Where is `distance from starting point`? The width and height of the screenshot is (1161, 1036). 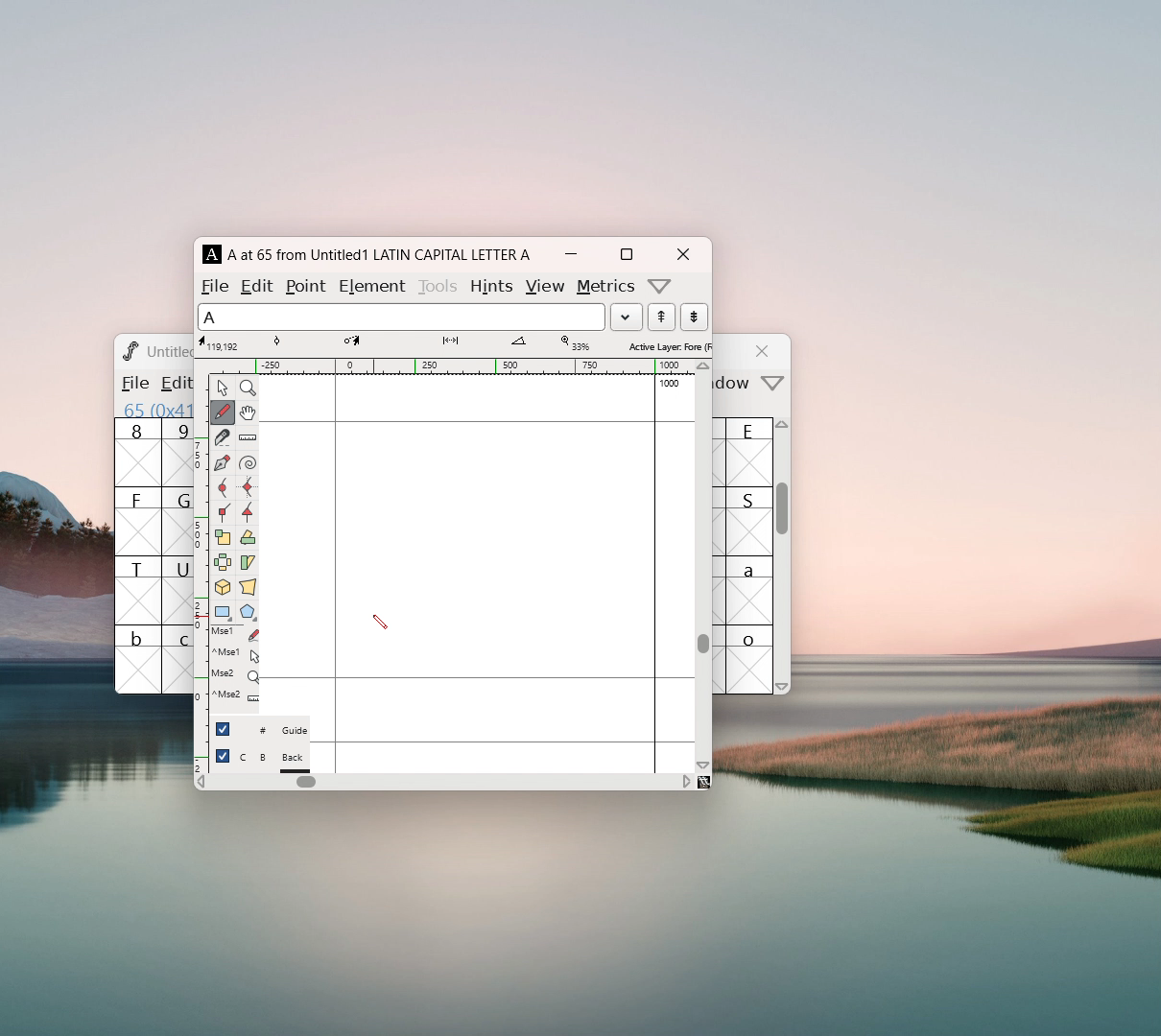
distance from starting point is located at coordinates (451, 344).